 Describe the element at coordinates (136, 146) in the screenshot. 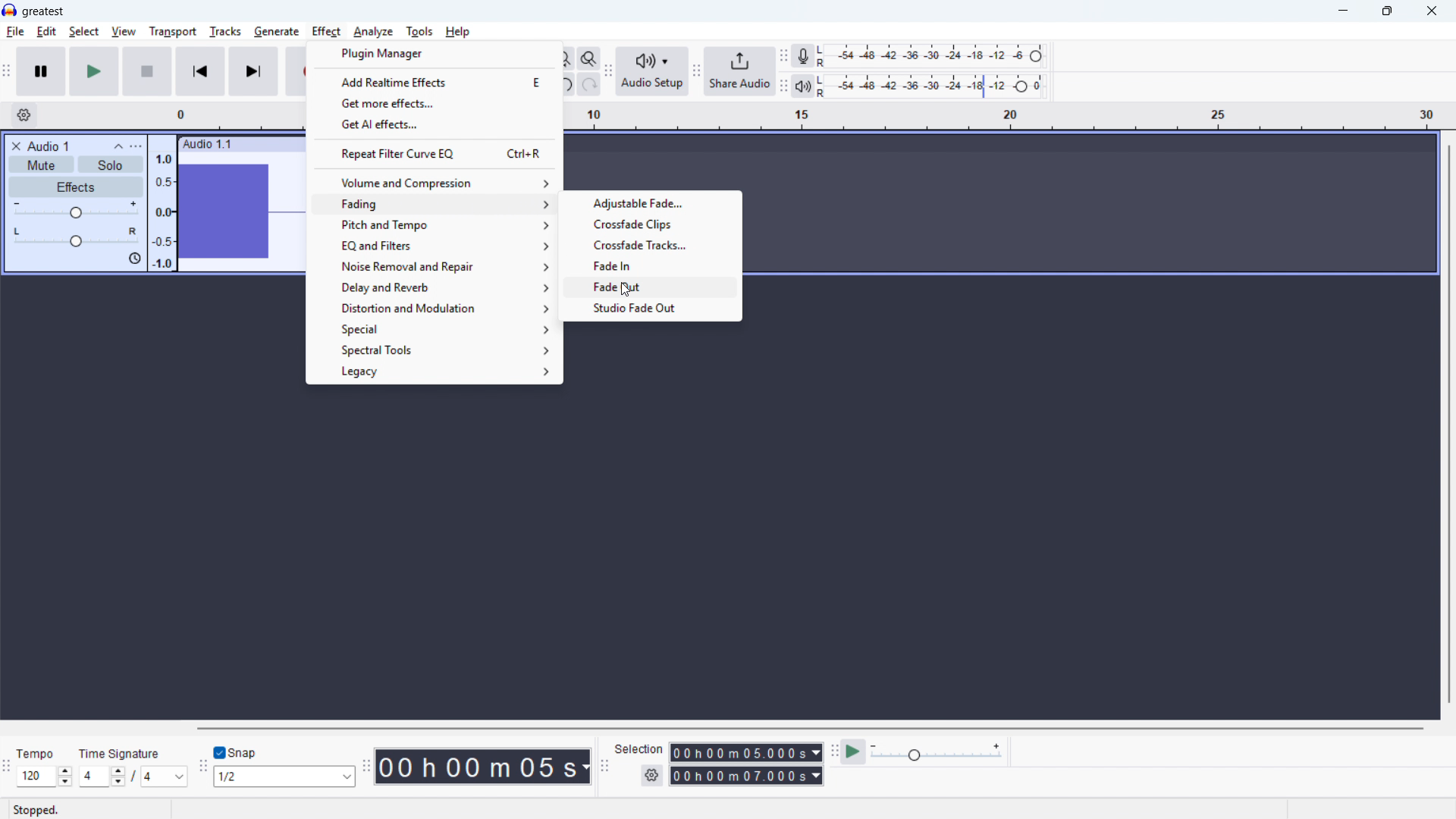

I see `Track control panel menu ` at that location.